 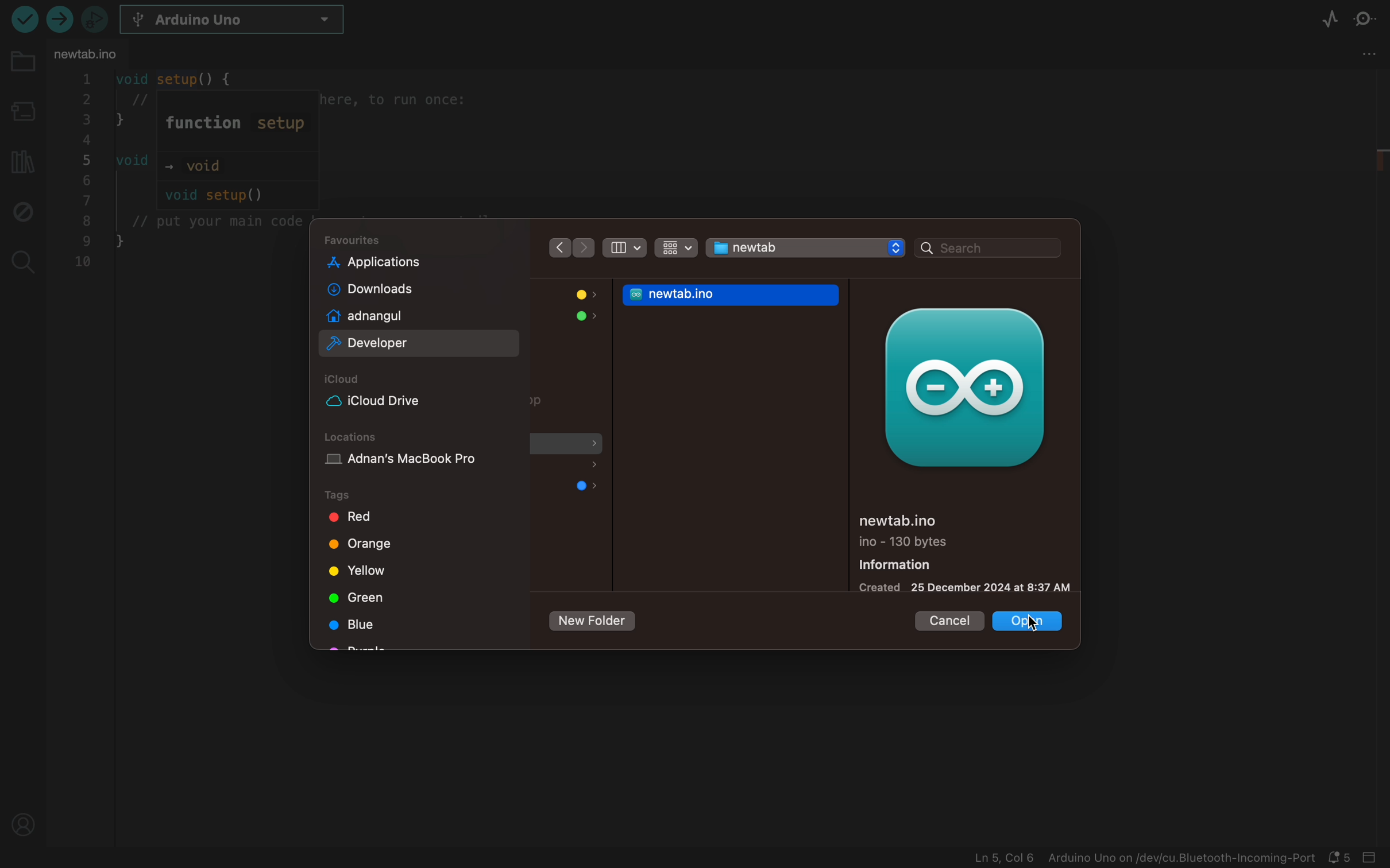 What do you see at coordinates (422, 343) in the screenshot?
I see `selected` at bounding box center [422, 343].